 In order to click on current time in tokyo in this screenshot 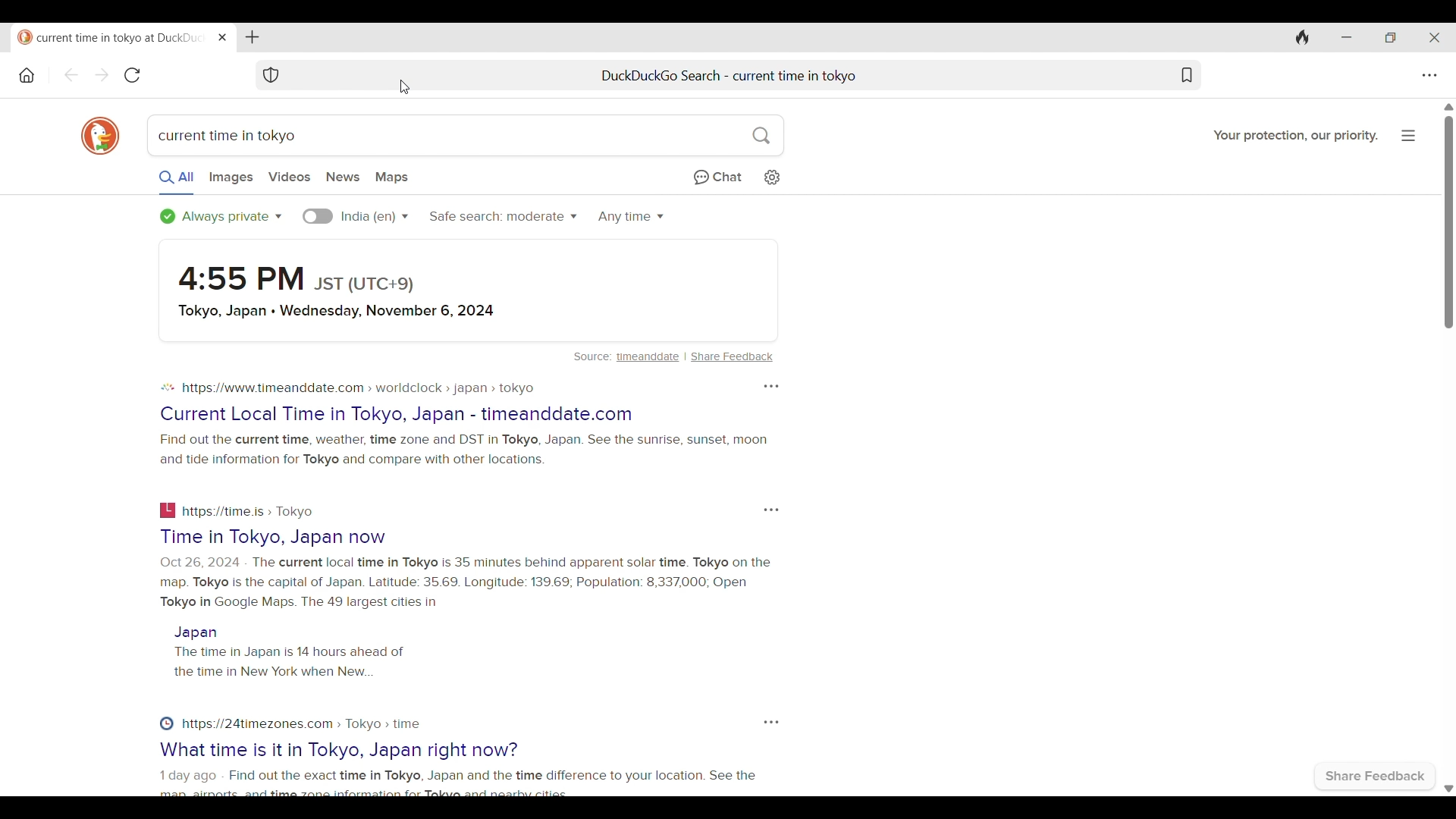, I will do `click(228, 136)`.